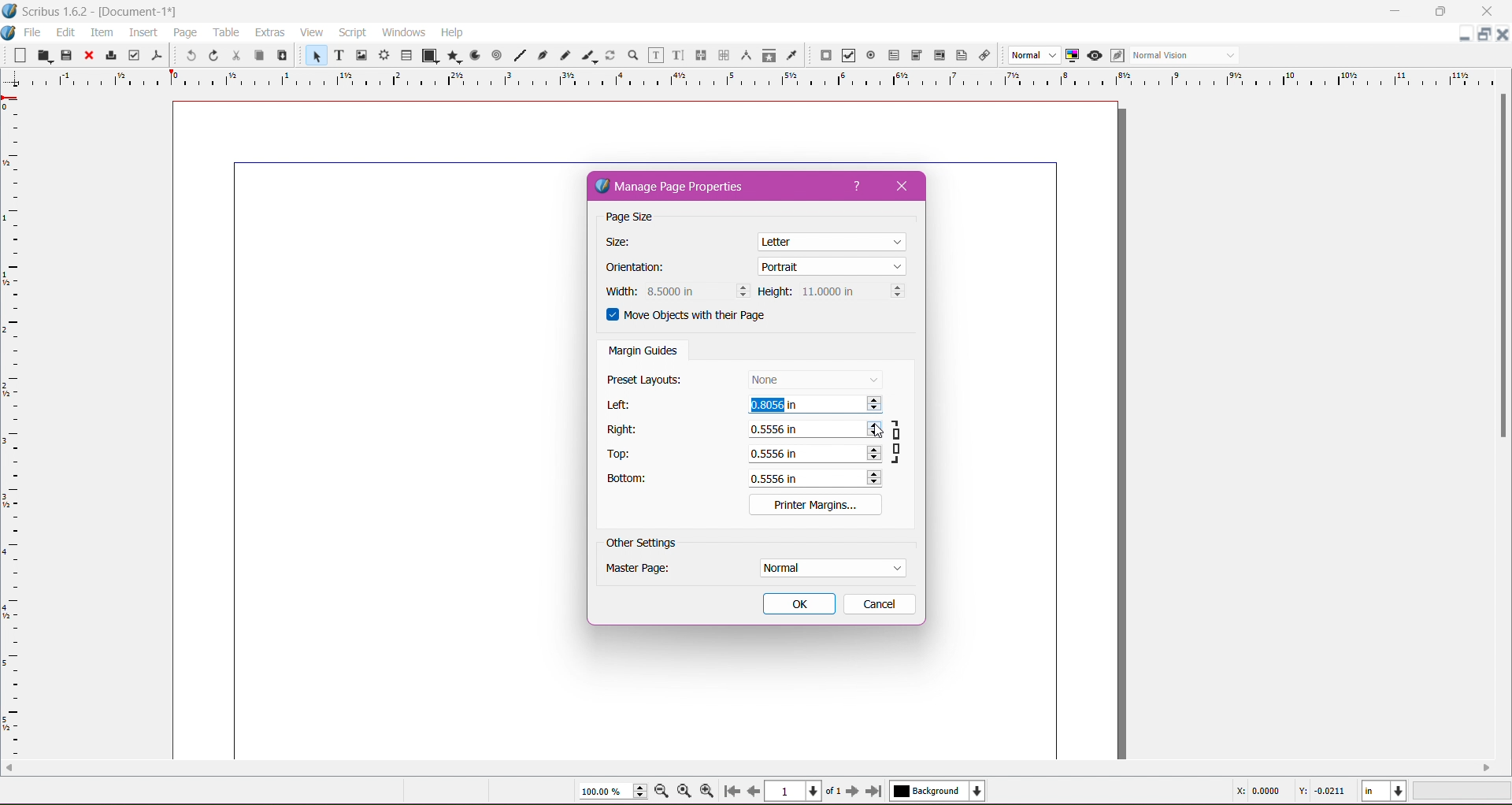 This screenshot has height=805, width=1512. What do you see at coordinates (1395, 10) in the screenshot?
I see `Minimize` at bounding box center [1395, 10].